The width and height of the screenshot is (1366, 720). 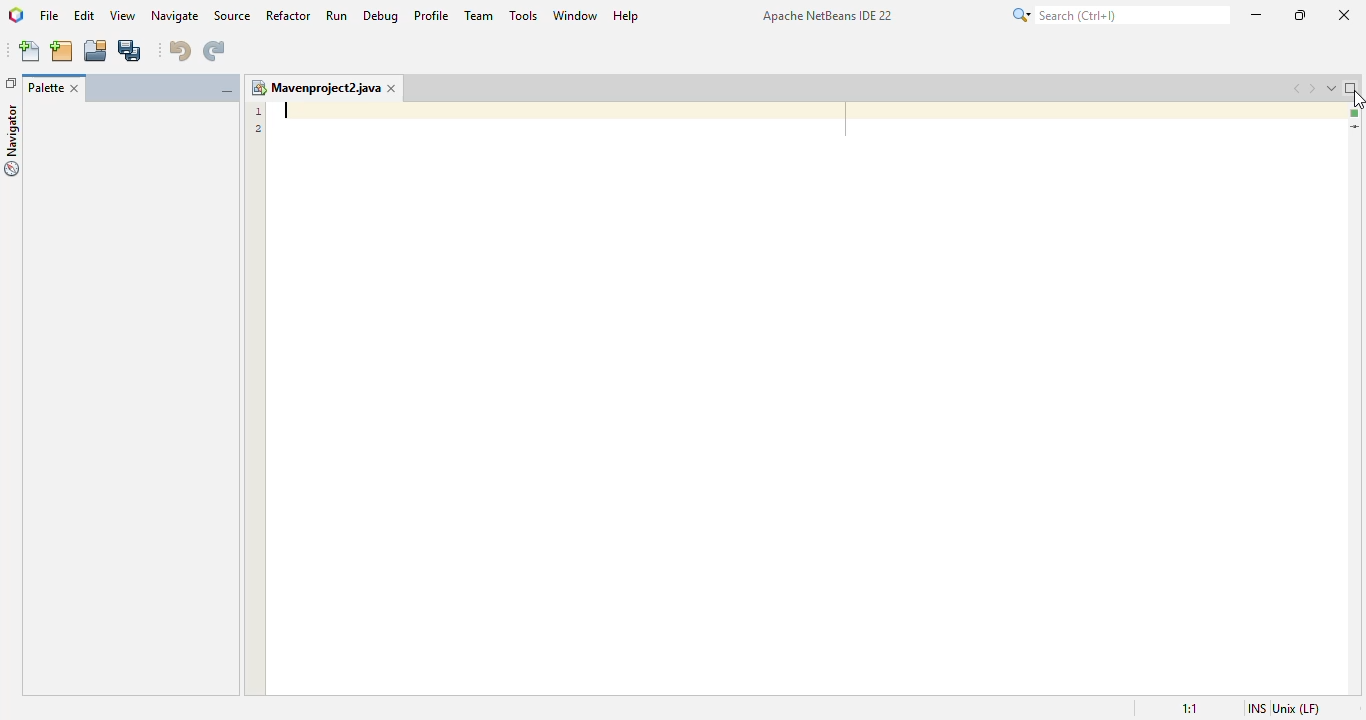 What do you see at coordinates (1120, 14) in the screenshot?
I see `search` at bounding box center [1120, 14].